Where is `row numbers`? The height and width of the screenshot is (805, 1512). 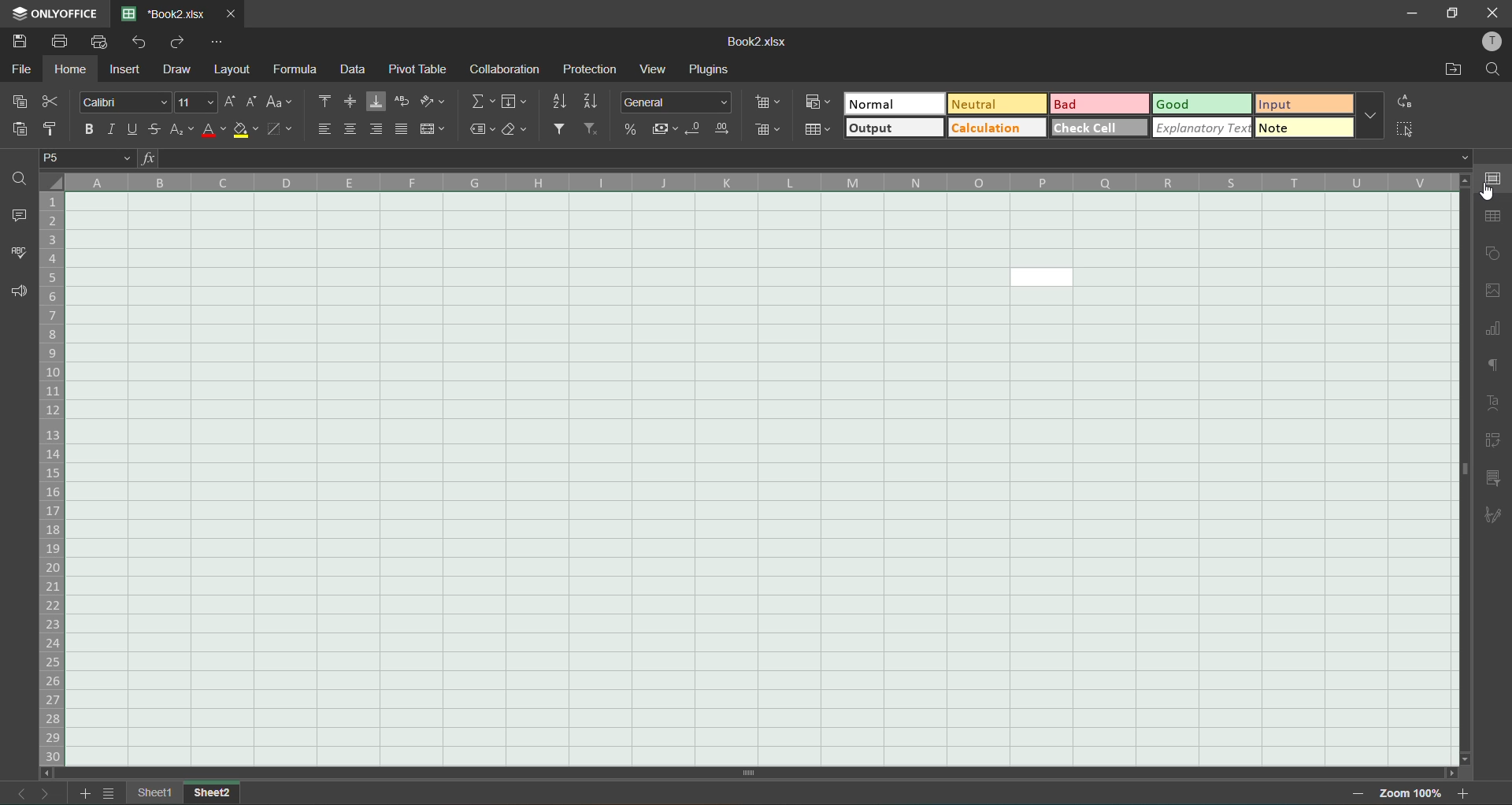 row numbers is located at coordinates (56, 480).